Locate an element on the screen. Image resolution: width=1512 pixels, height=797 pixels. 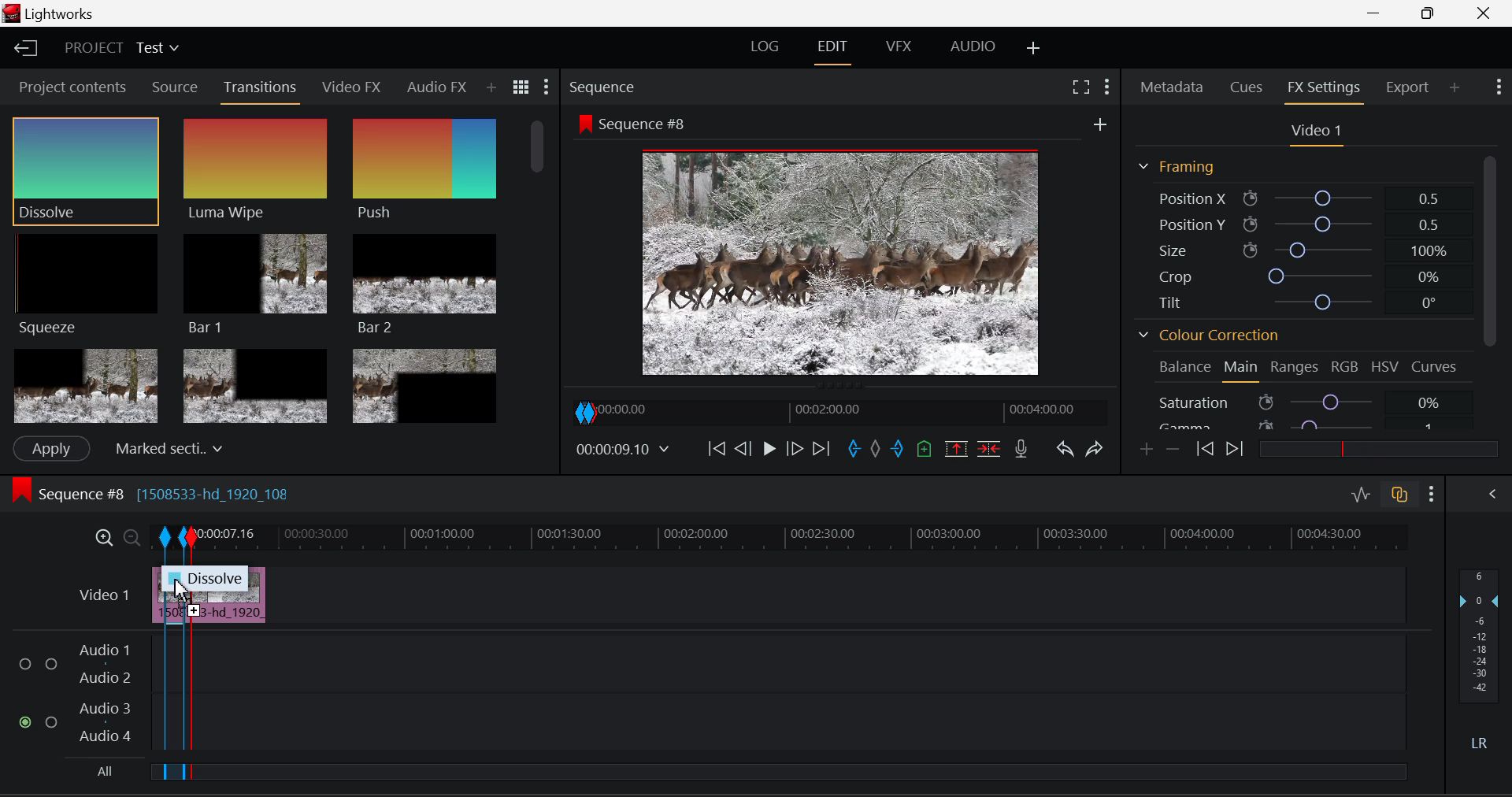
Video 1 Settings is located at coordinates (1314, 132).